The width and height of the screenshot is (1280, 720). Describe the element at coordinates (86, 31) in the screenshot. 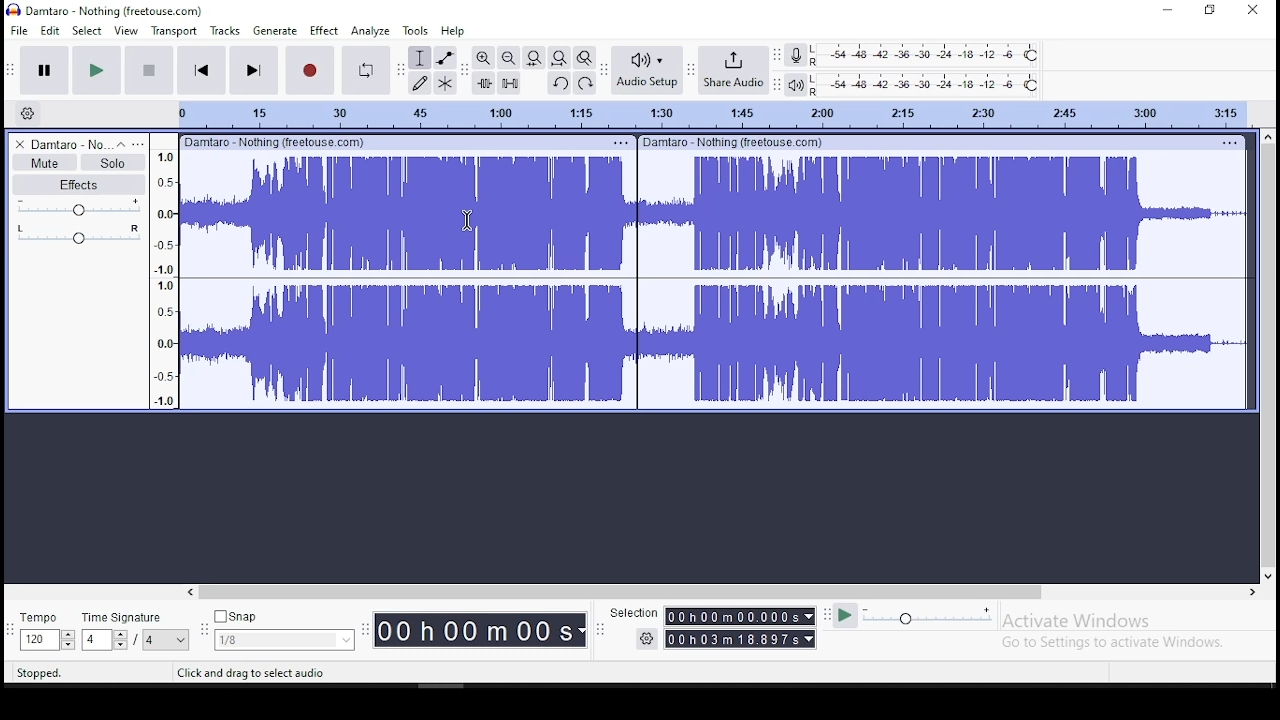

I see `select` at that location.